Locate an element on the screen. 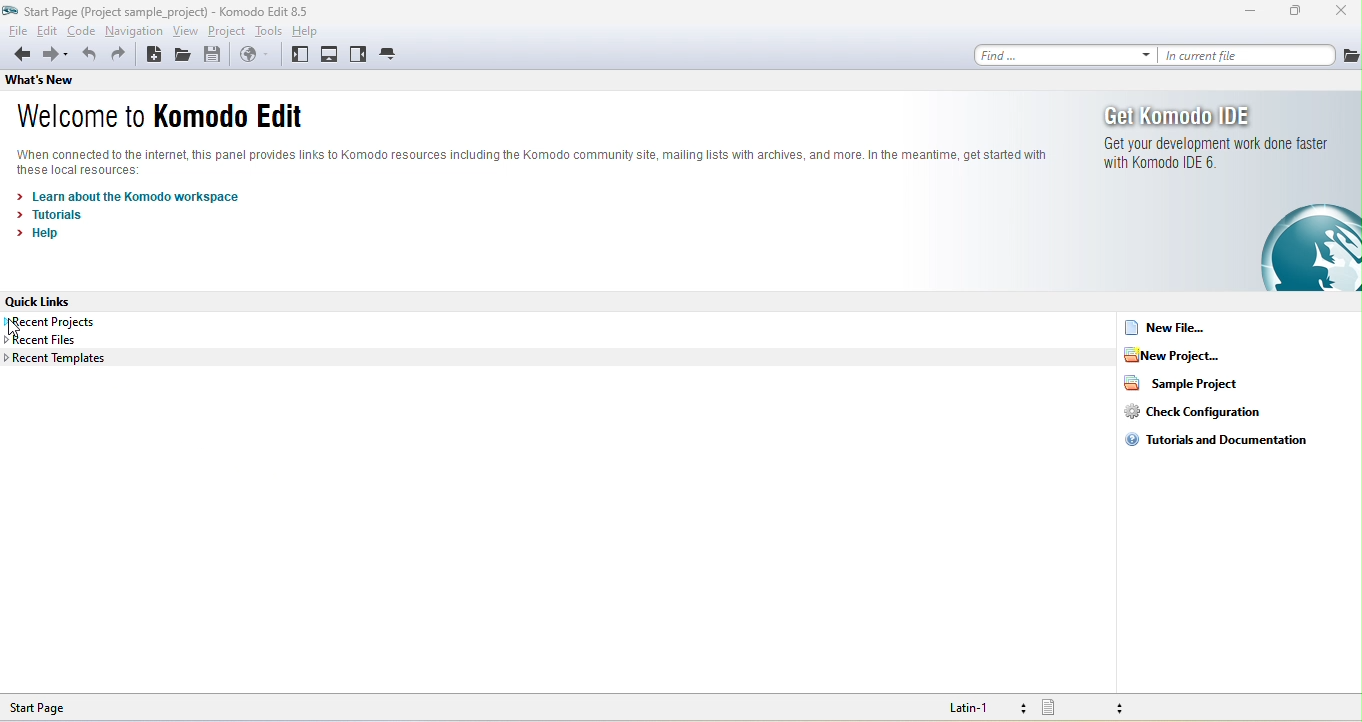 Image resolution: width=1362 pixels, height=722 pixels. edit is located at coordinates (49, 31).